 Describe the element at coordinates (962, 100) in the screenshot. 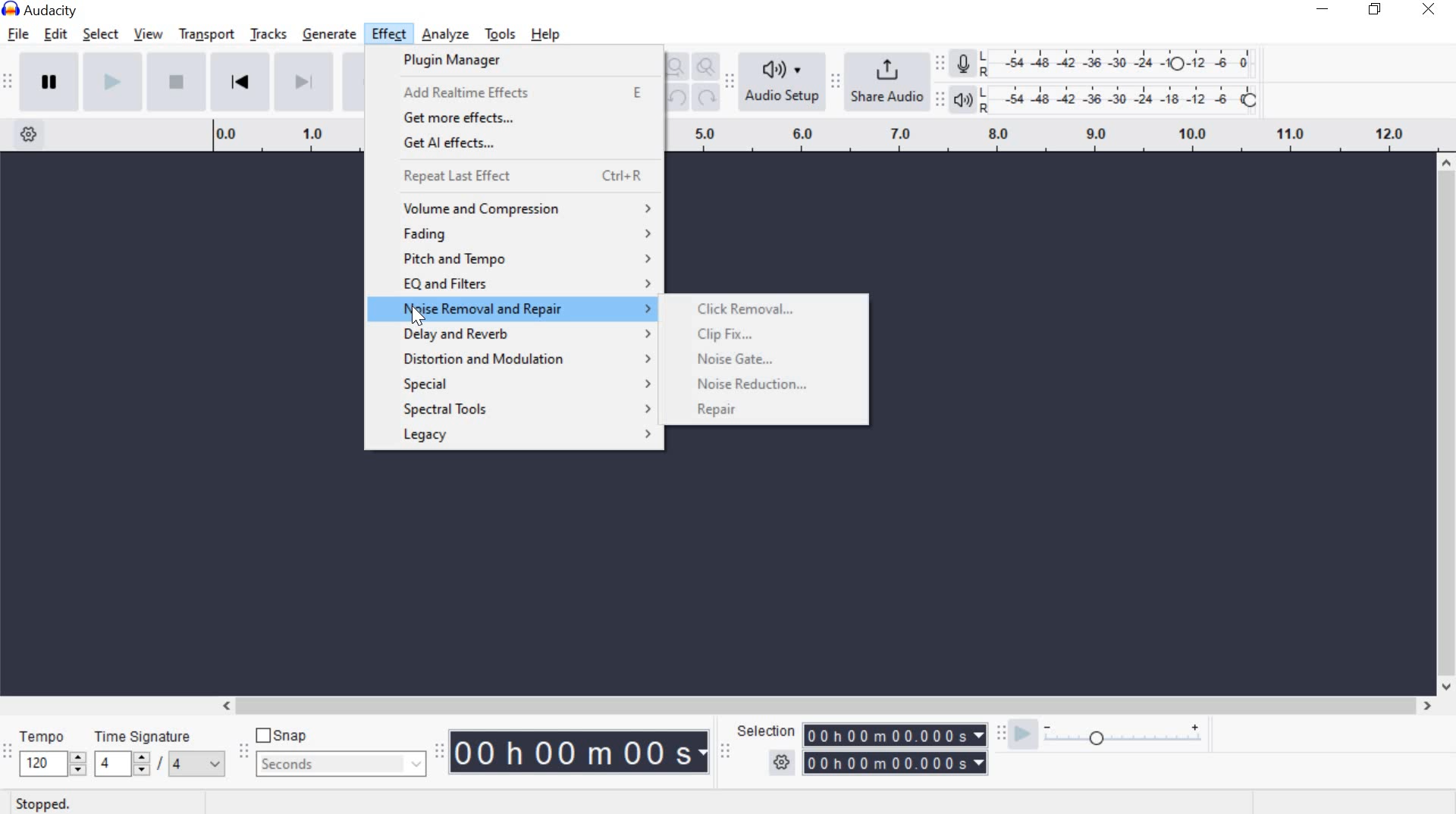

I see `Playback meter` at that location.